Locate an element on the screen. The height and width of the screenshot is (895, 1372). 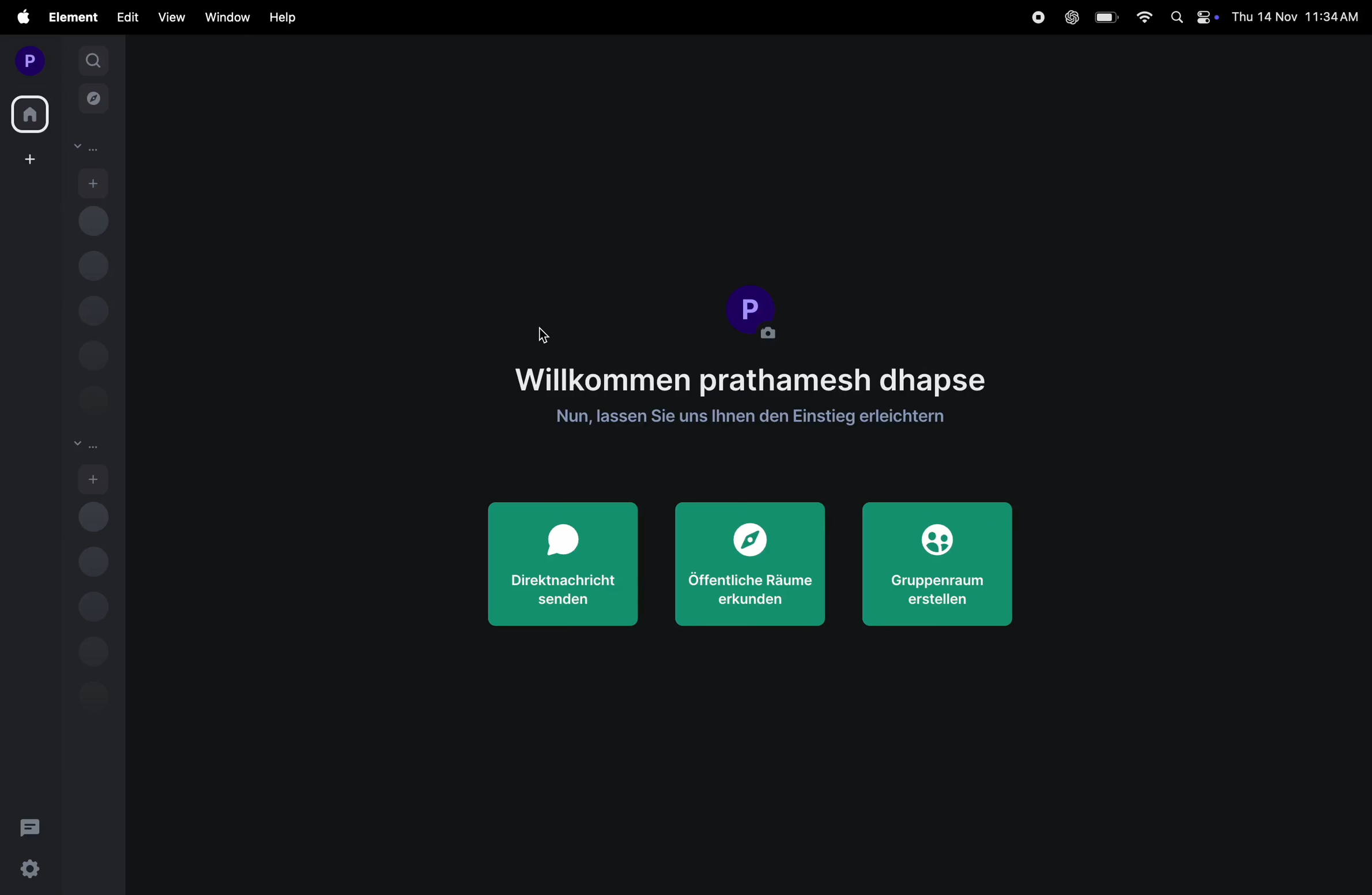
home is located at coordinates (31, 111).